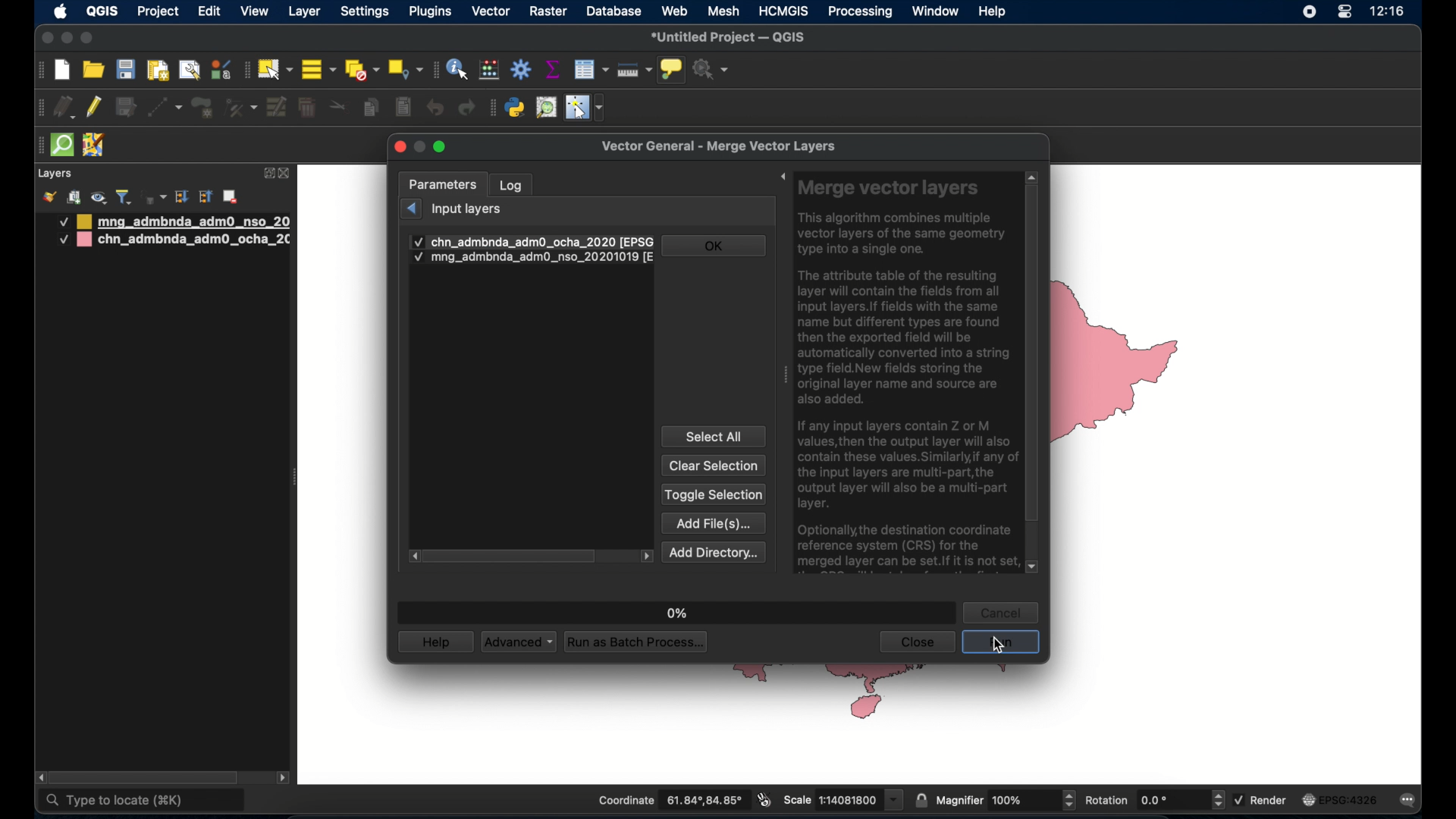  I want to click on mesh, so click(724, 11).